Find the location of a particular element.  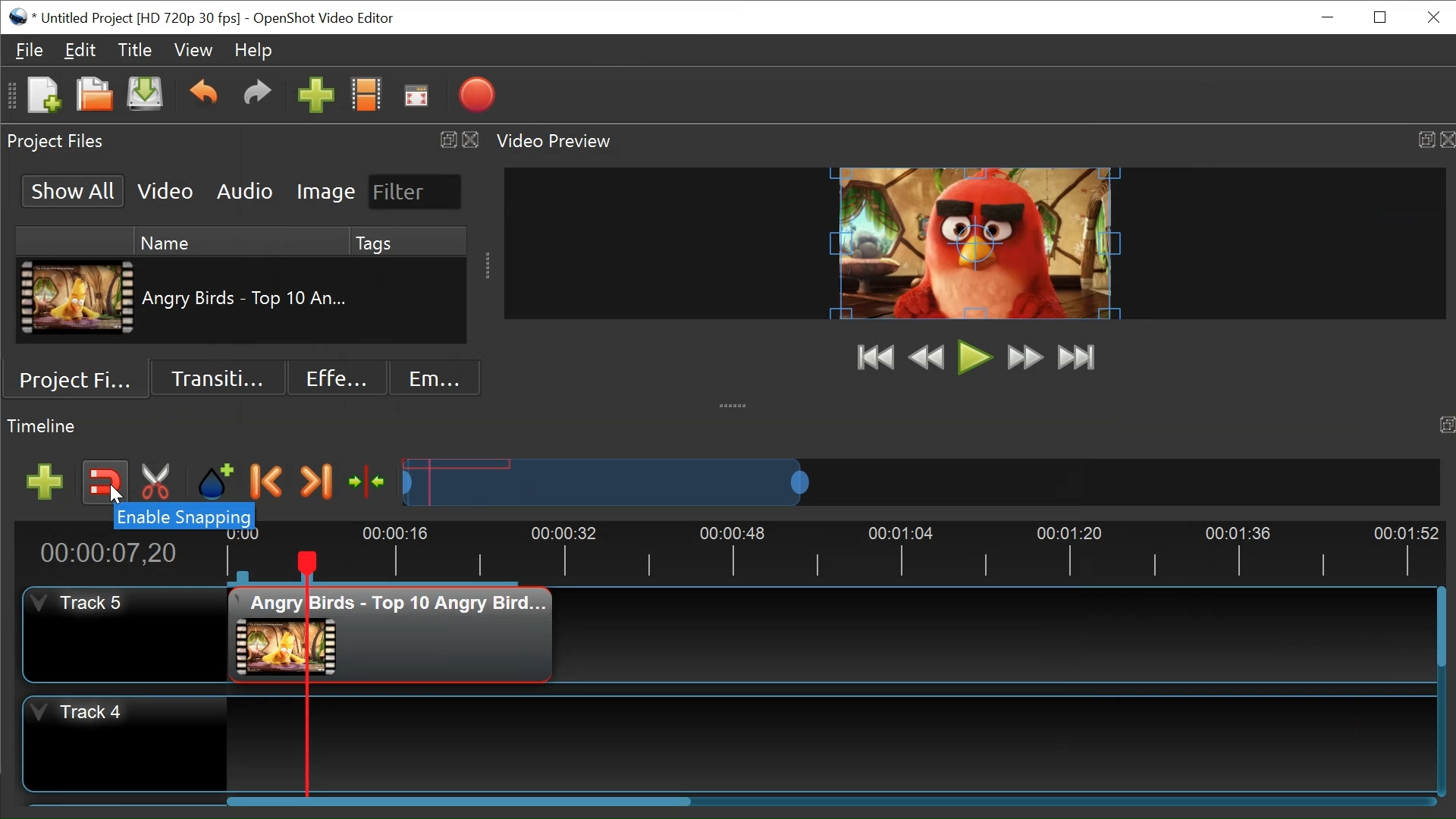

Project Files is located at coordinates (78, 383).